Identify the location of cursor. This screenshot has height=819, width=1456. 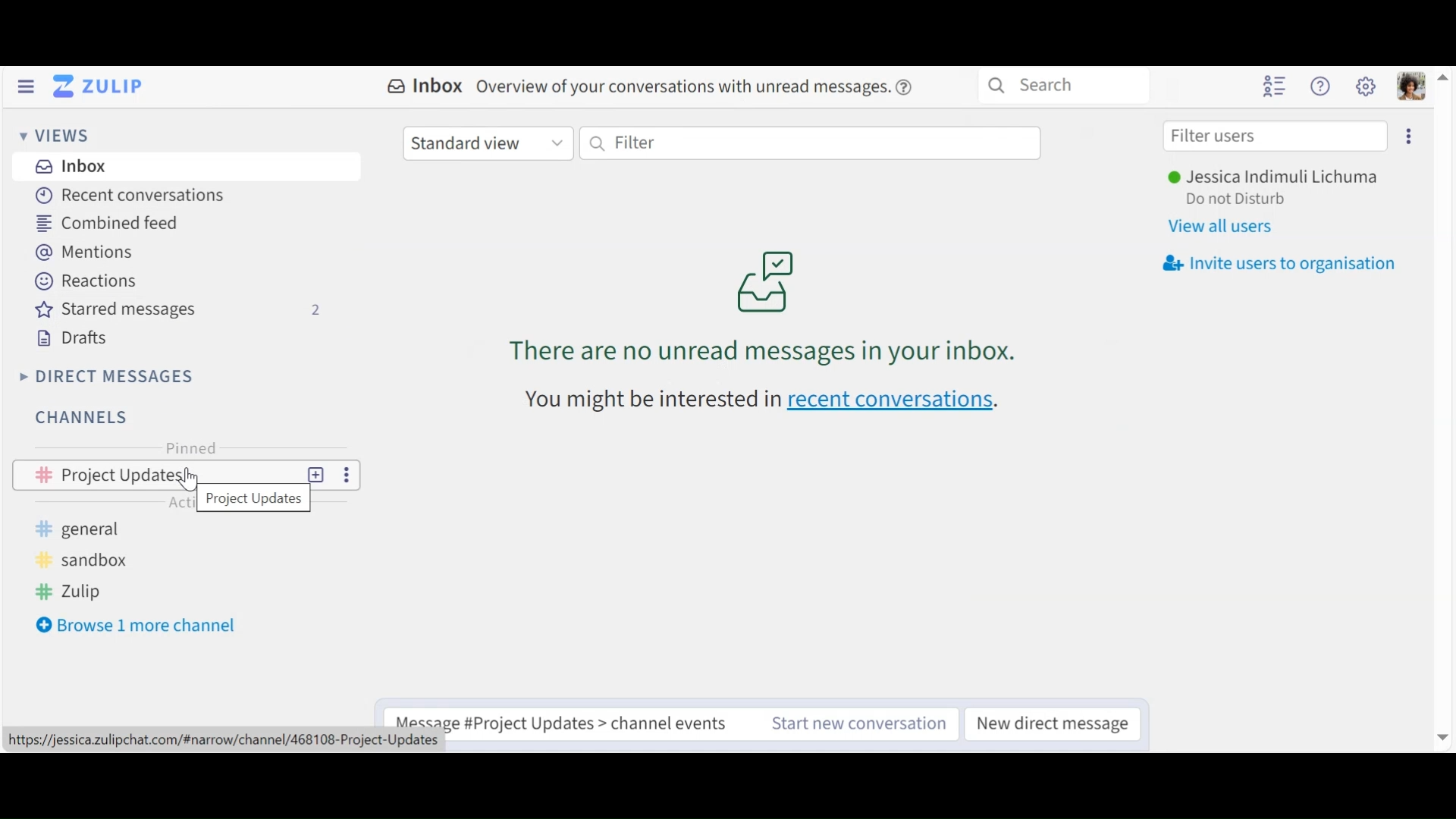
(193, 481).